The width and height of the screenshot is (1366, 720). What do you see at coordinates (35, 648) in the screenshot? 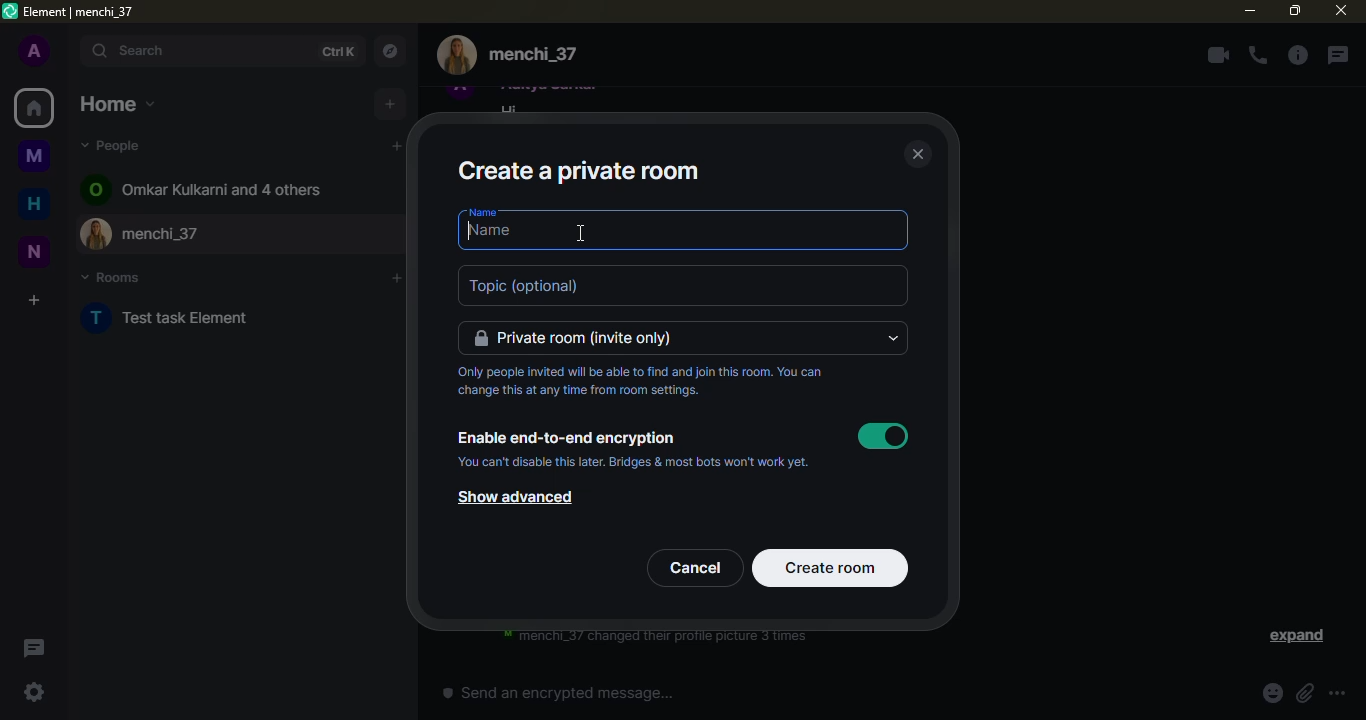
I see `Threads` at bounding box center [35, 648].